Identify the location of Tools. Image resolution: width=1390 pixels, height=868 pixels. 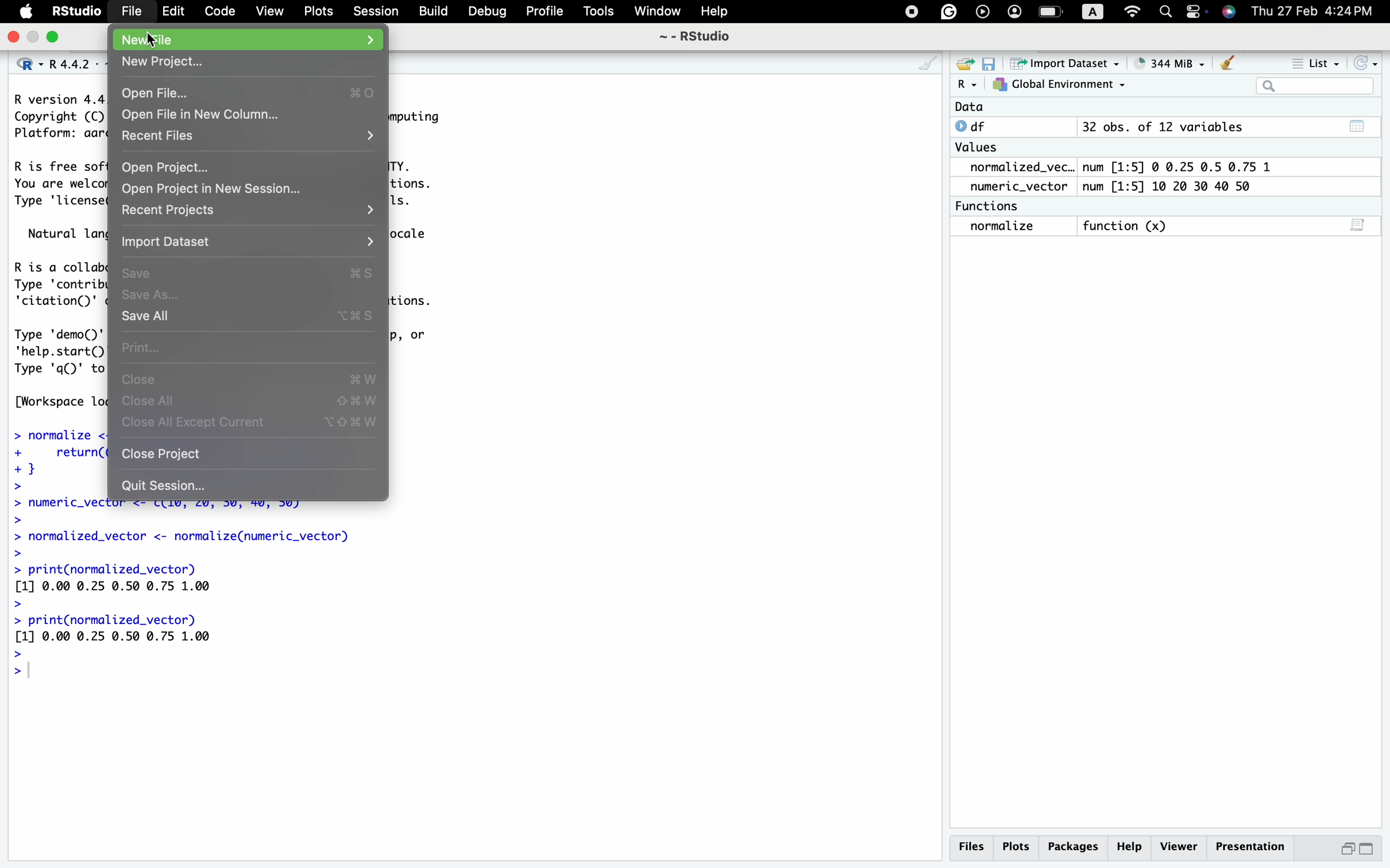
(598, 14).